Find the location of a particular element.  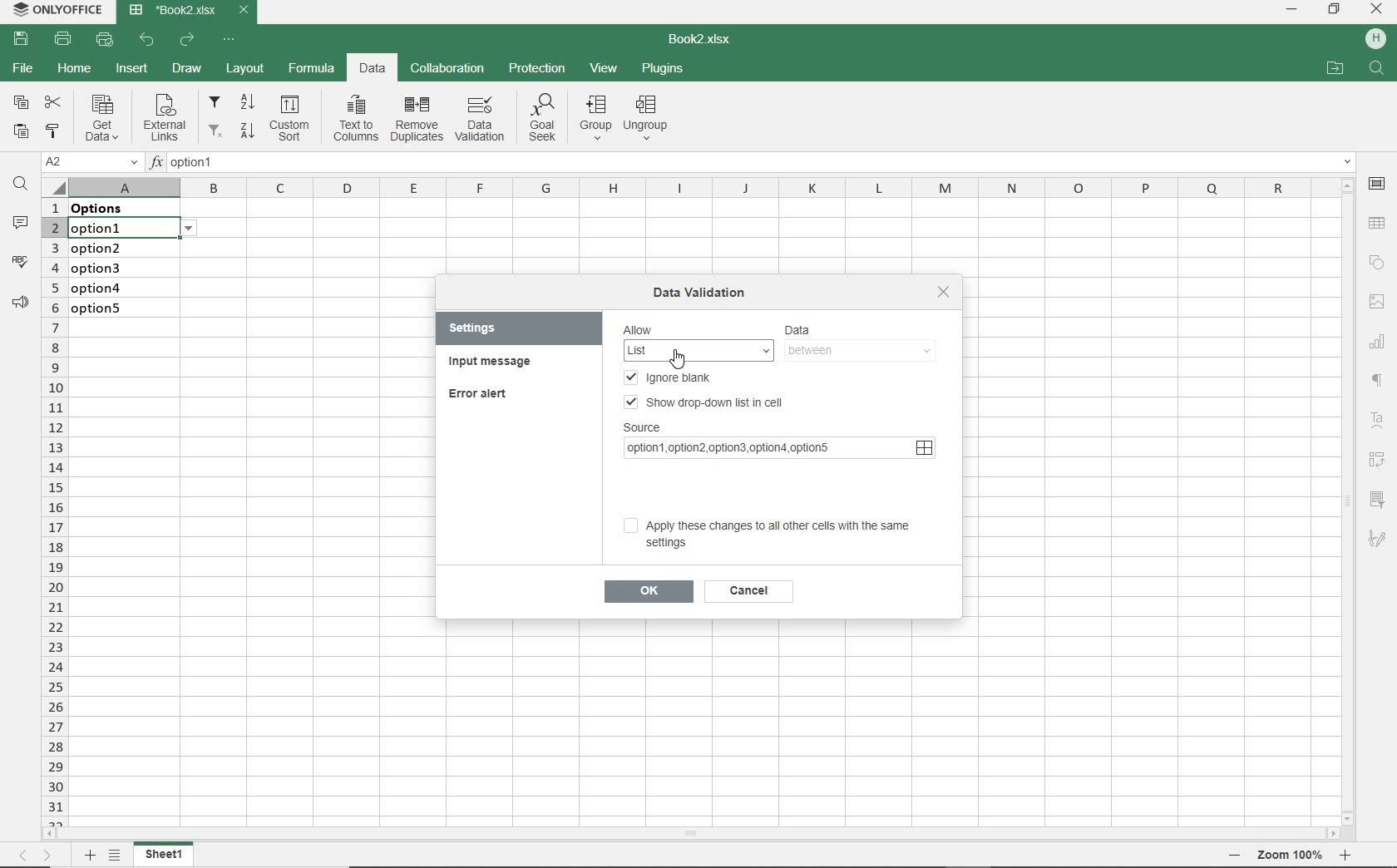

SCROLLBAR is located at coordinates (691, 832).